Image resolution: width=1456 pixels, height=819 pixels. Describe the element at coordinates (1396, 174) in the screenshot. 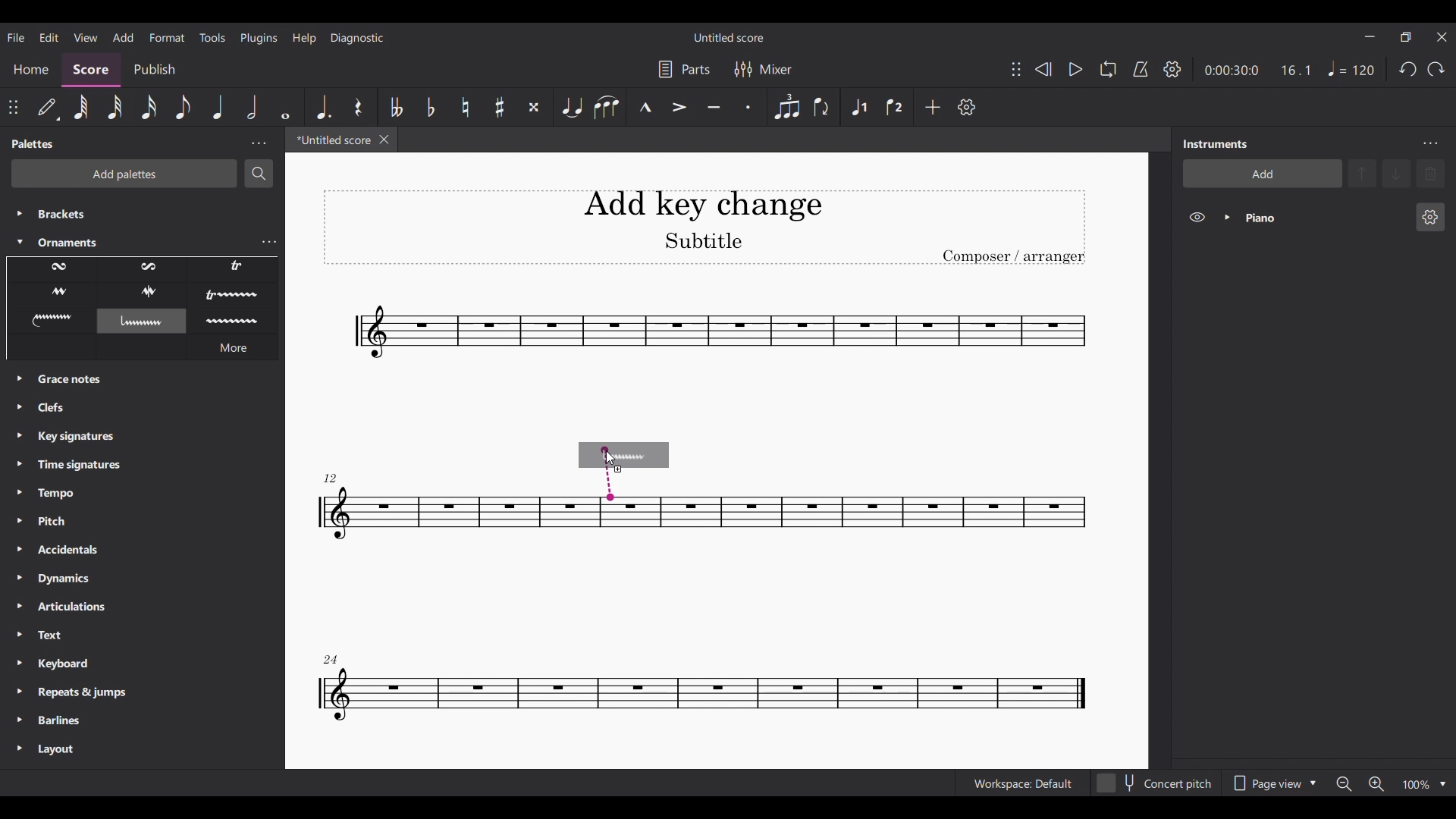

I see `Move down` at that location.